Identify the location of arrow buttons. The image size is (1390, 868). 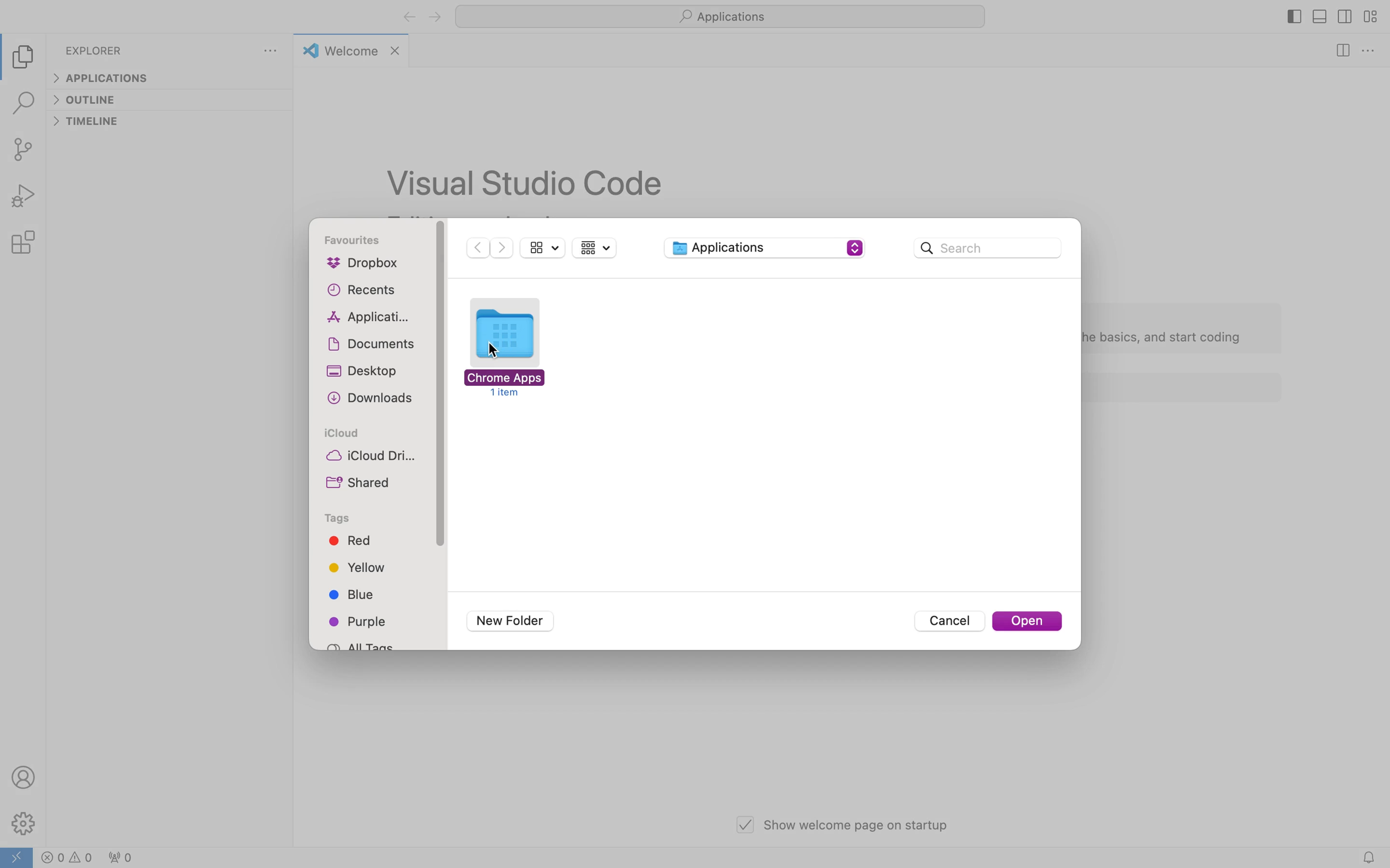
(491, 249).